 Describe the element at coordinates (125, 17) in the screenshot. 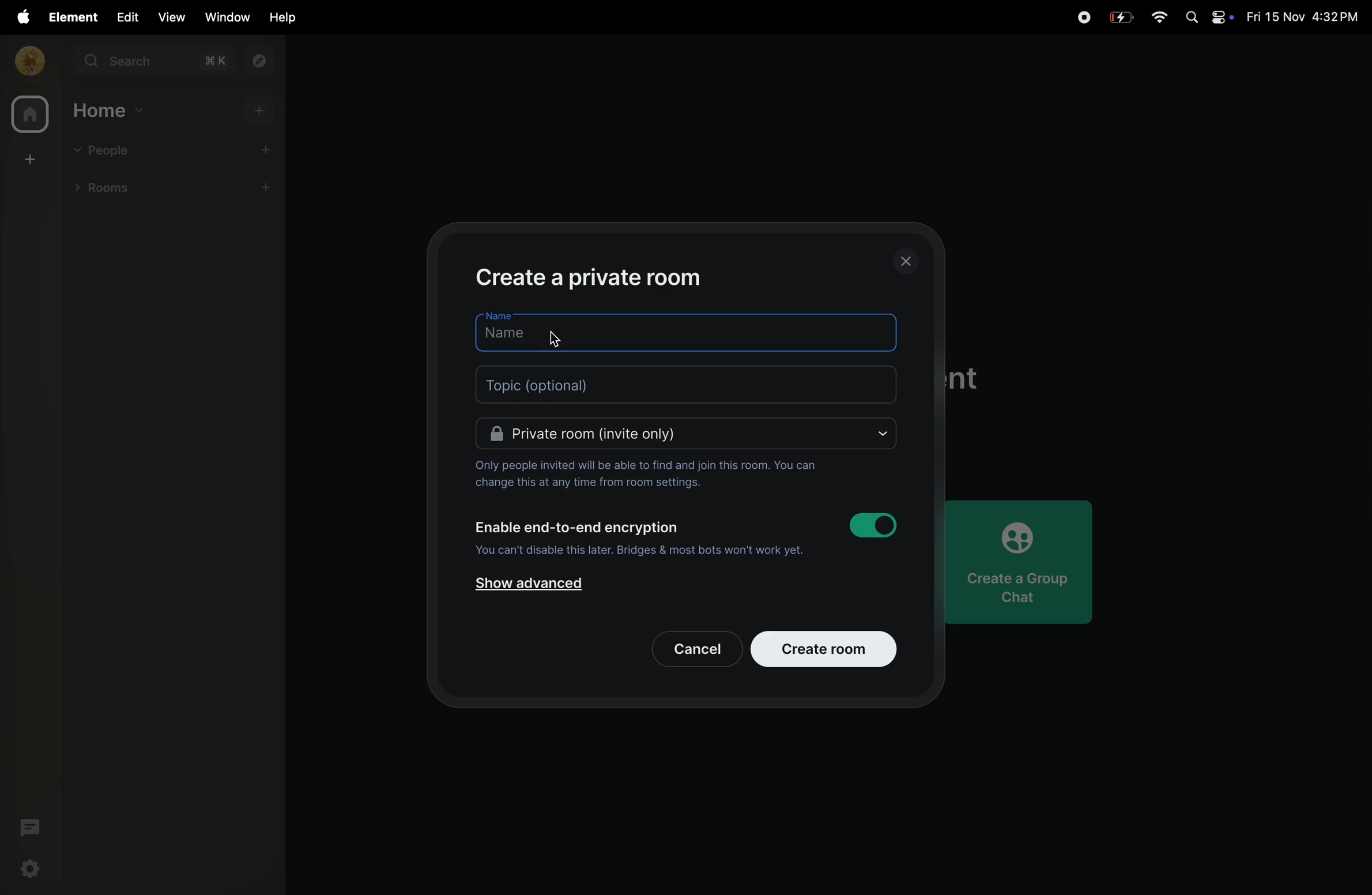

I see `edit` at that location.